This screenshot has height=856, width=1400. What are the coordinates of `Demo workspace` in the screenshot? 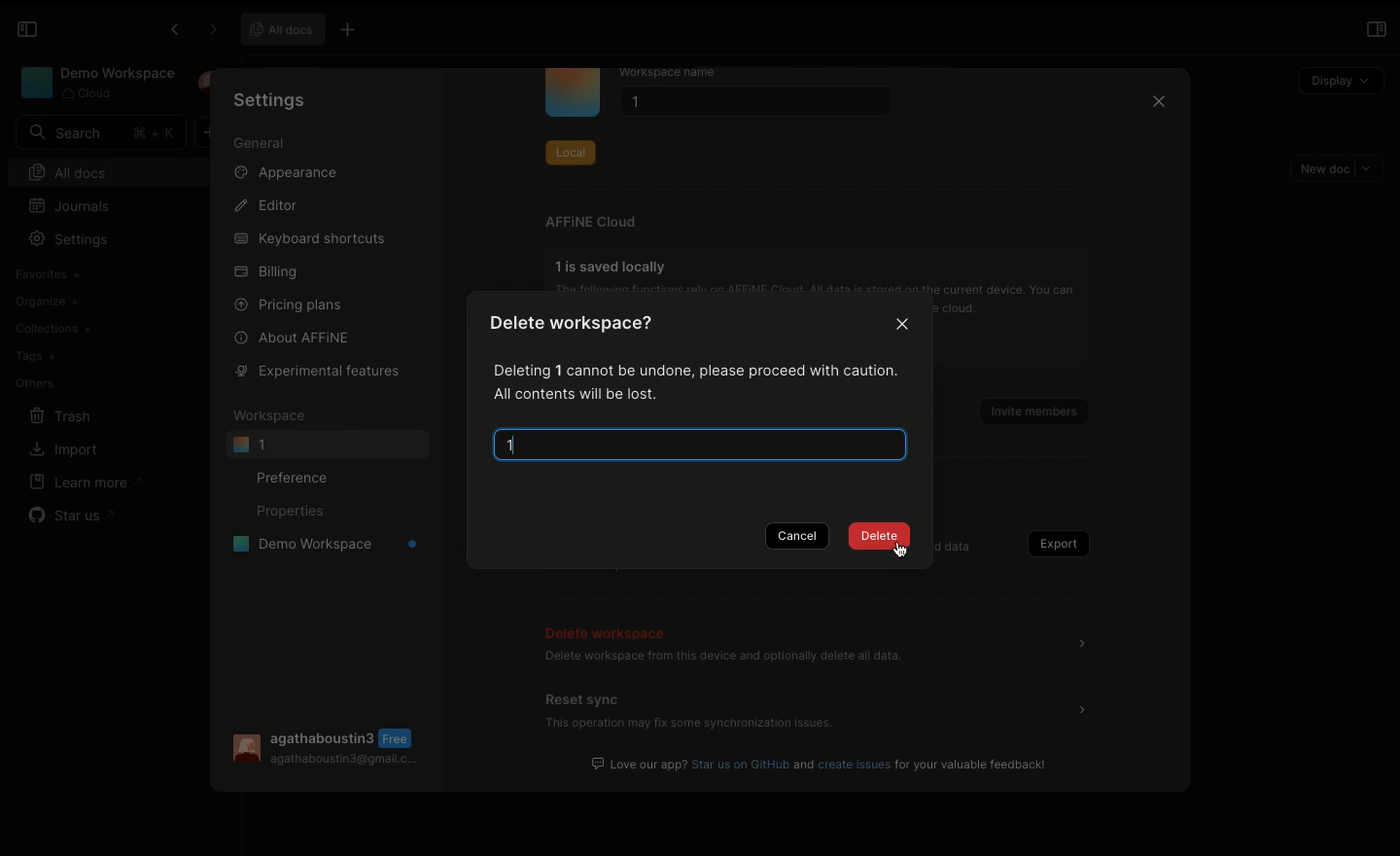 It's located at (319, 547).